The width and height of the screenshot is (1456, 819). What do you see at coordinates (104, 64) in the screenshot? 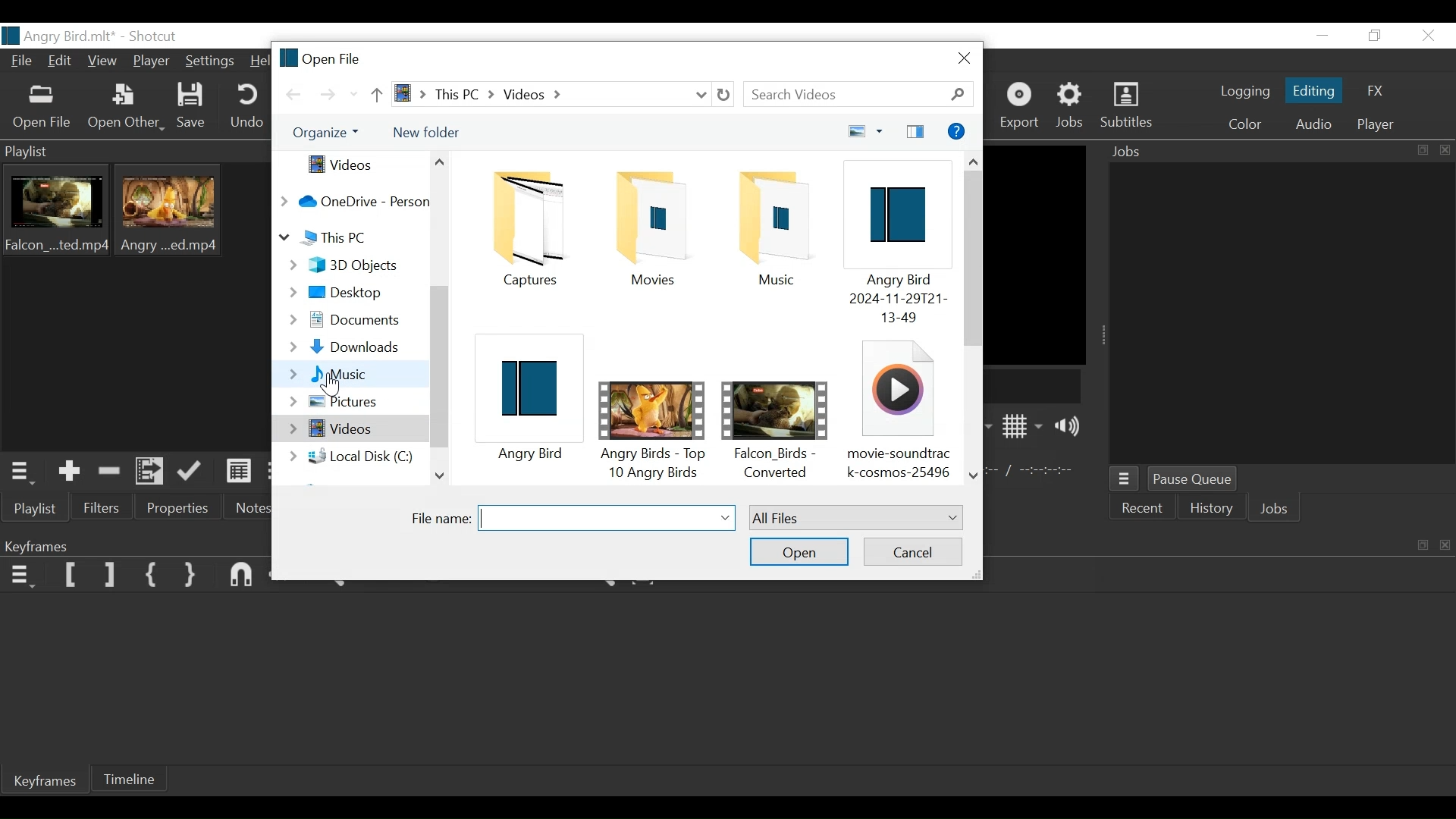
I see `View` at bounding box center [104, 64].